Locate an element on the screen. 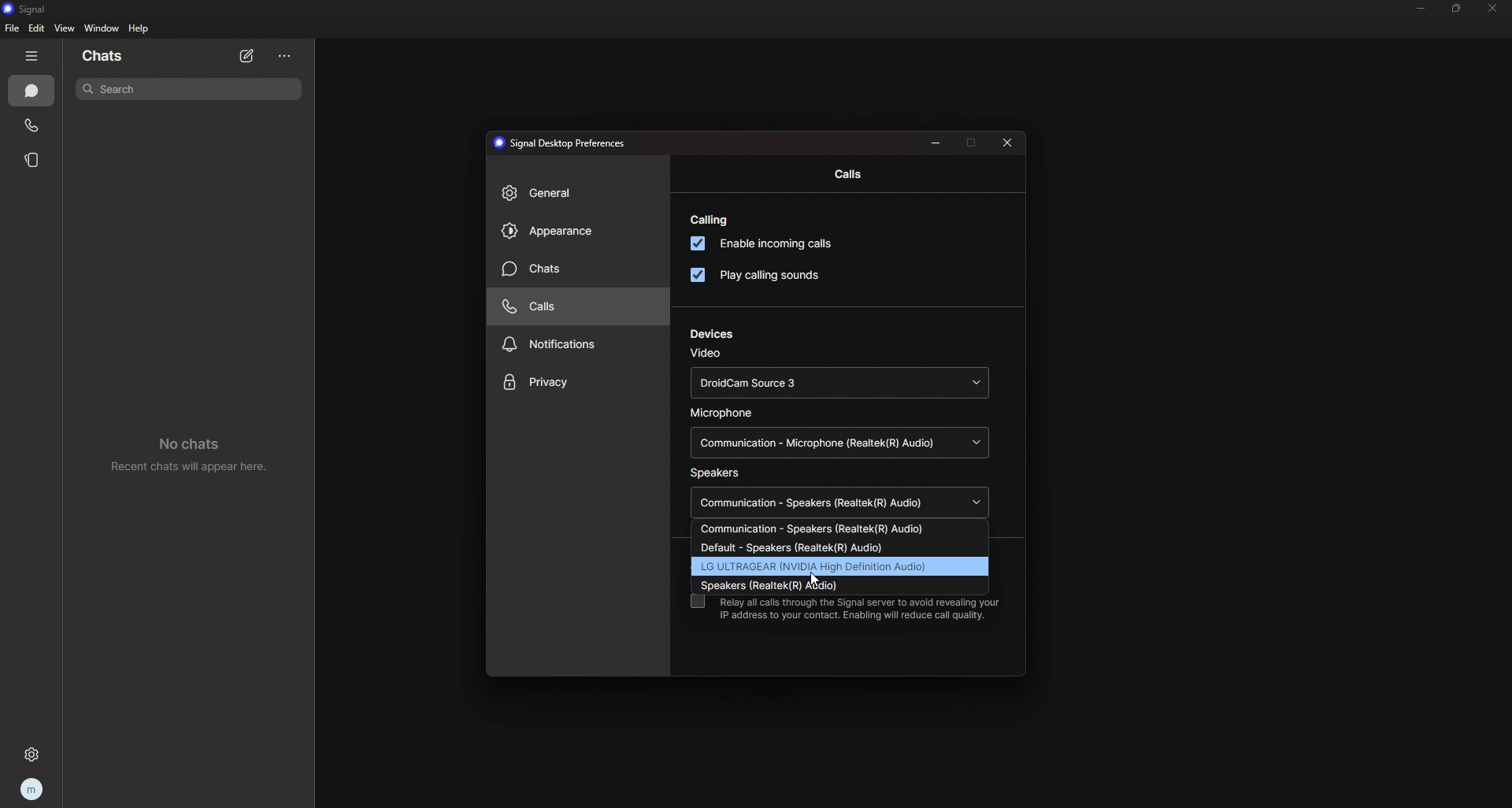 This screenshot has height=808, width=1512. appearance is located at coordinates (576, 232).